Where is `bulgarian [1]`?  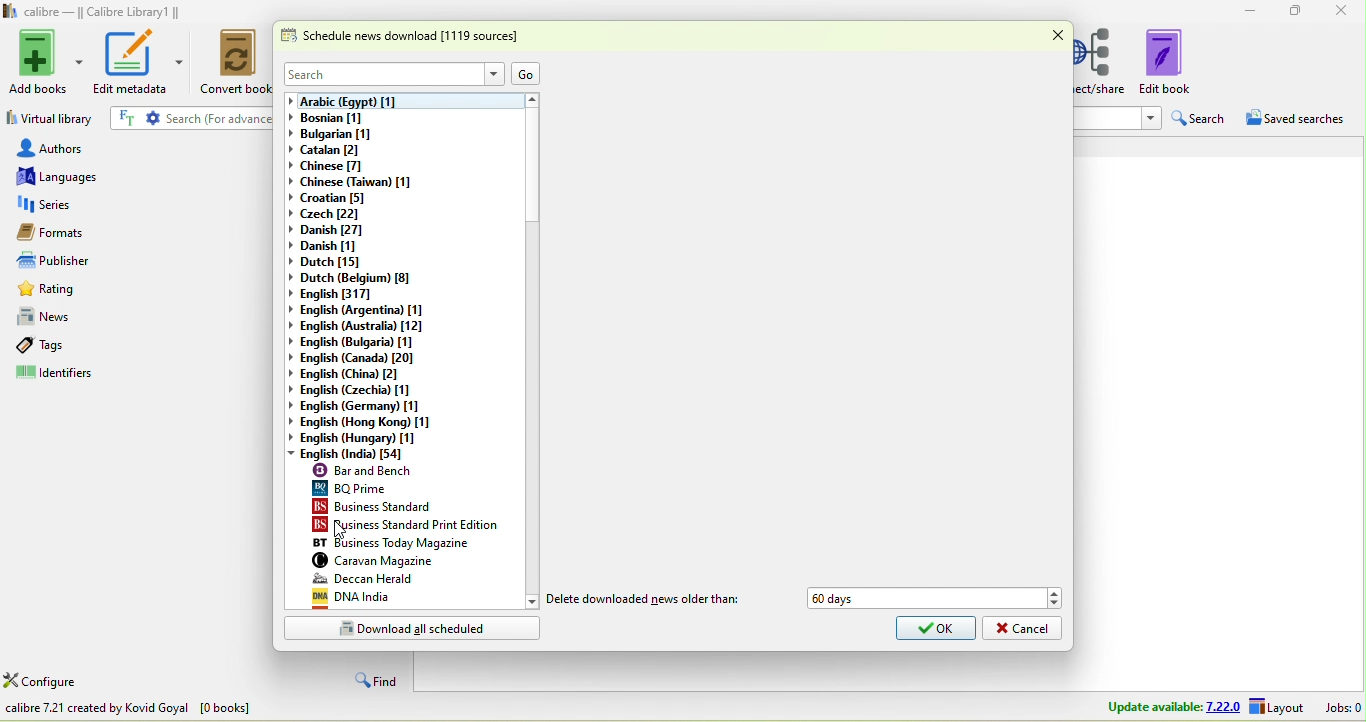 bulgarian [1] is located at coordinates (343, 136).